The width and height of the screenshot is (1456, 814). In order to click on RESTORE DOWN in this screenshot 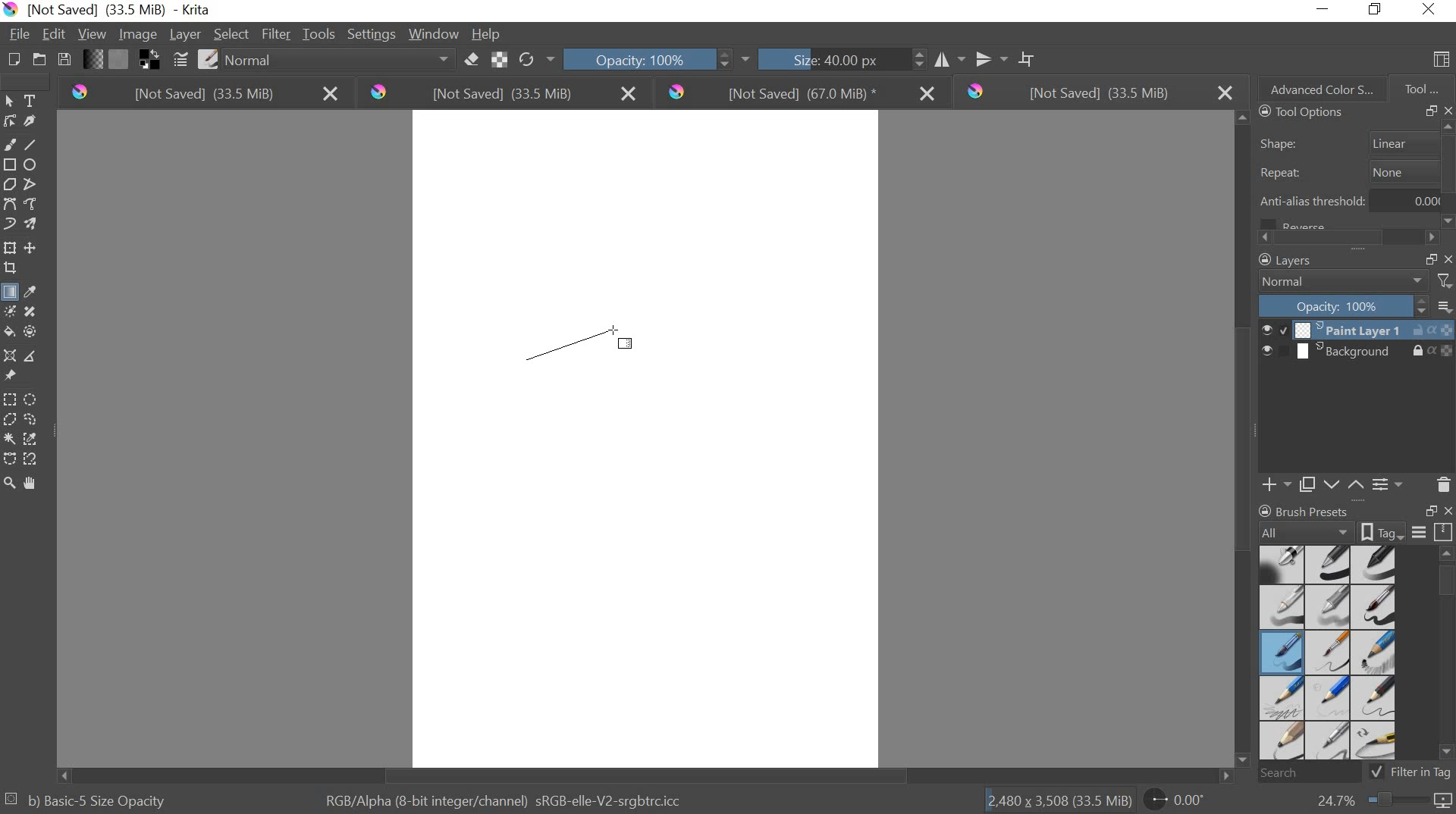, I will do `click(1379, 11)`.